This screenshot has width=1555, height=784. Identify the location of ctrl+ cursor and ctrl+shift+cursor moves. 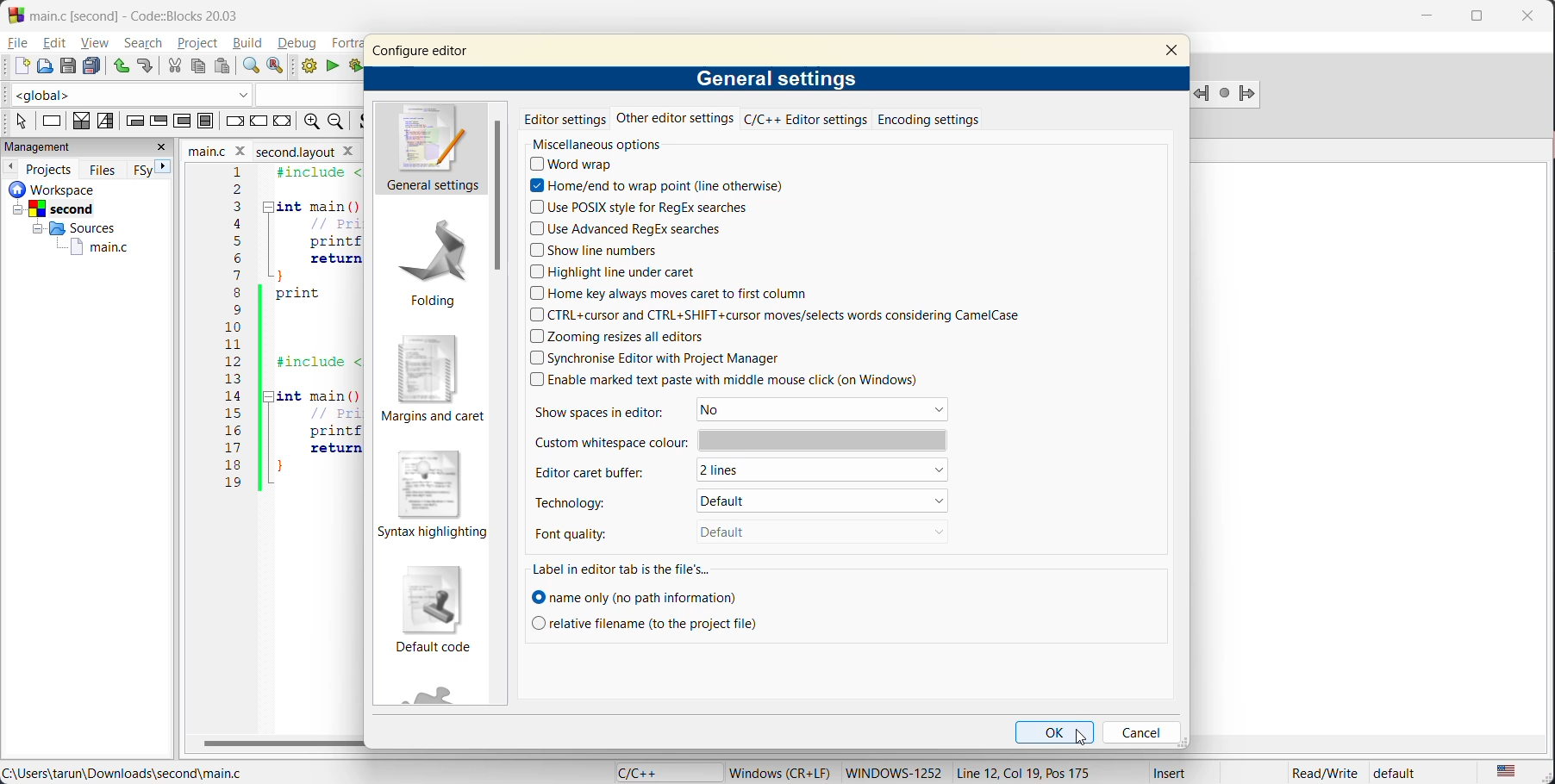
(799, 316).